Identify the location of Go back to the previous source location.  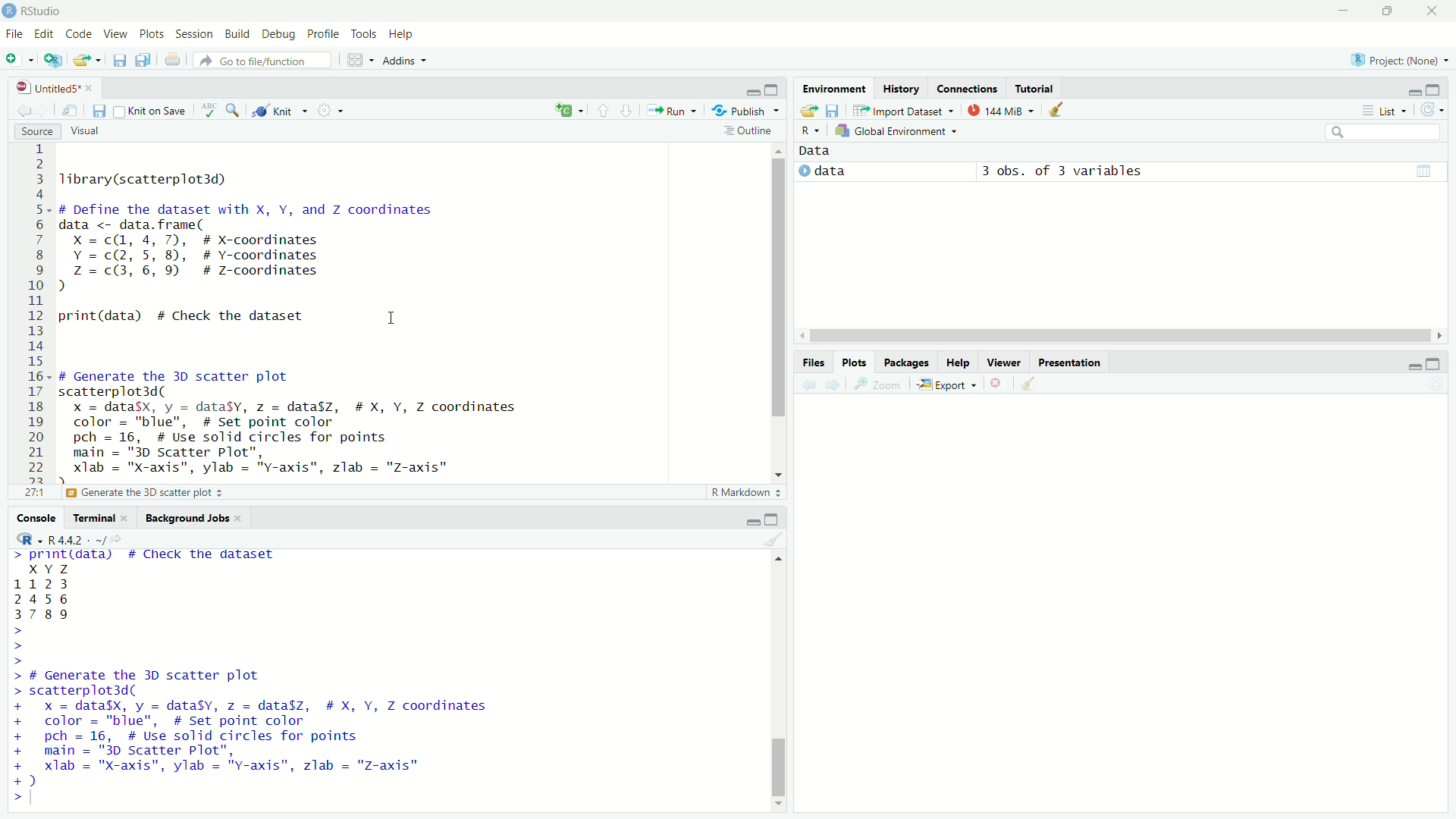
(22, 111).